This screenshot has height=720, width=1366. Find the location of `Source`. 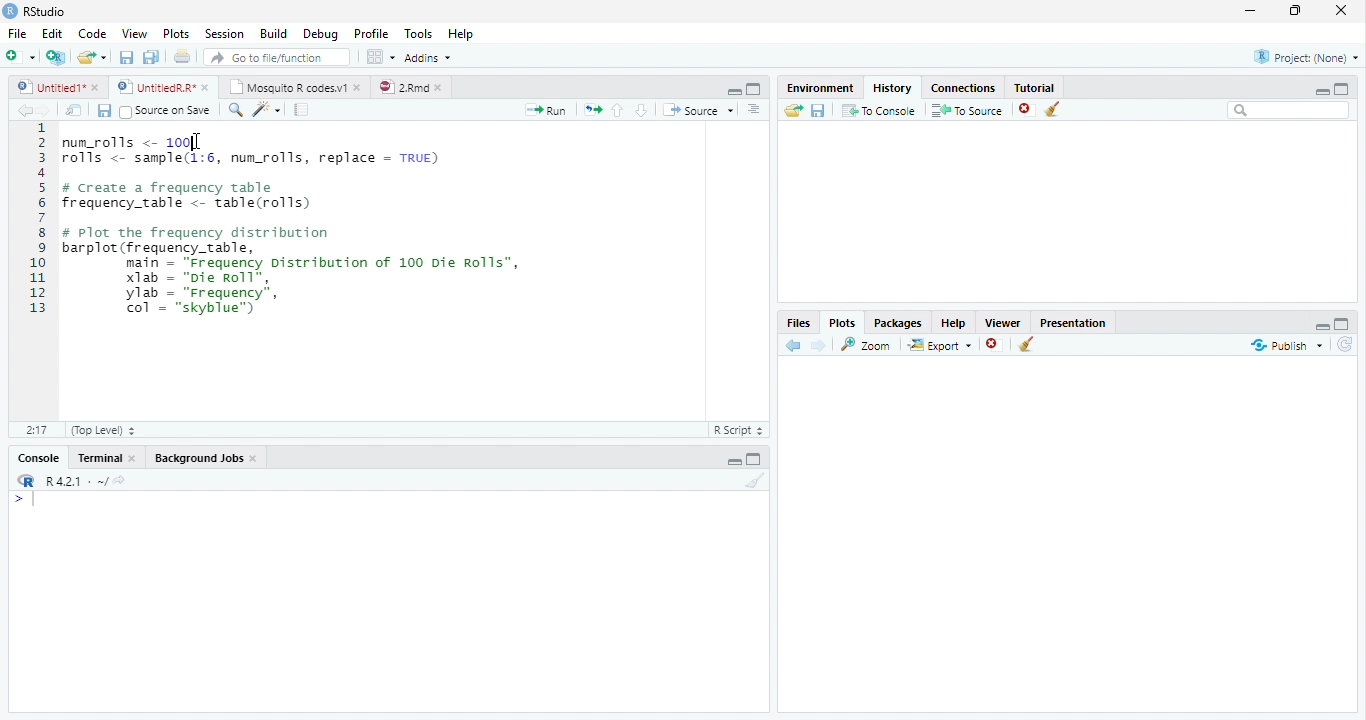

Source is located at coordinates (698, 111).